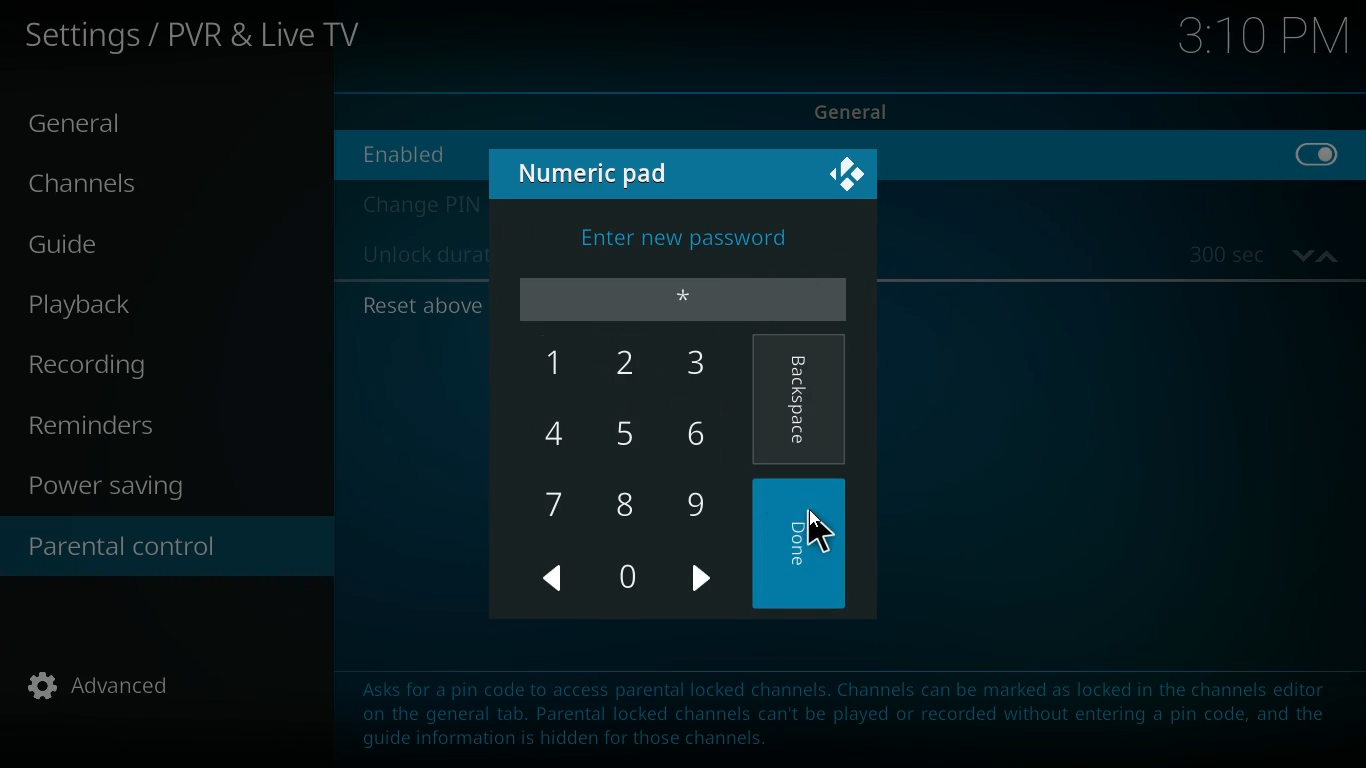 Image resolution: width=1366 pixels, height=768 pixels. What do you see at coordinates (801, 402) in the screenshot?
I see `backspace` at bounding box center [801, 402].